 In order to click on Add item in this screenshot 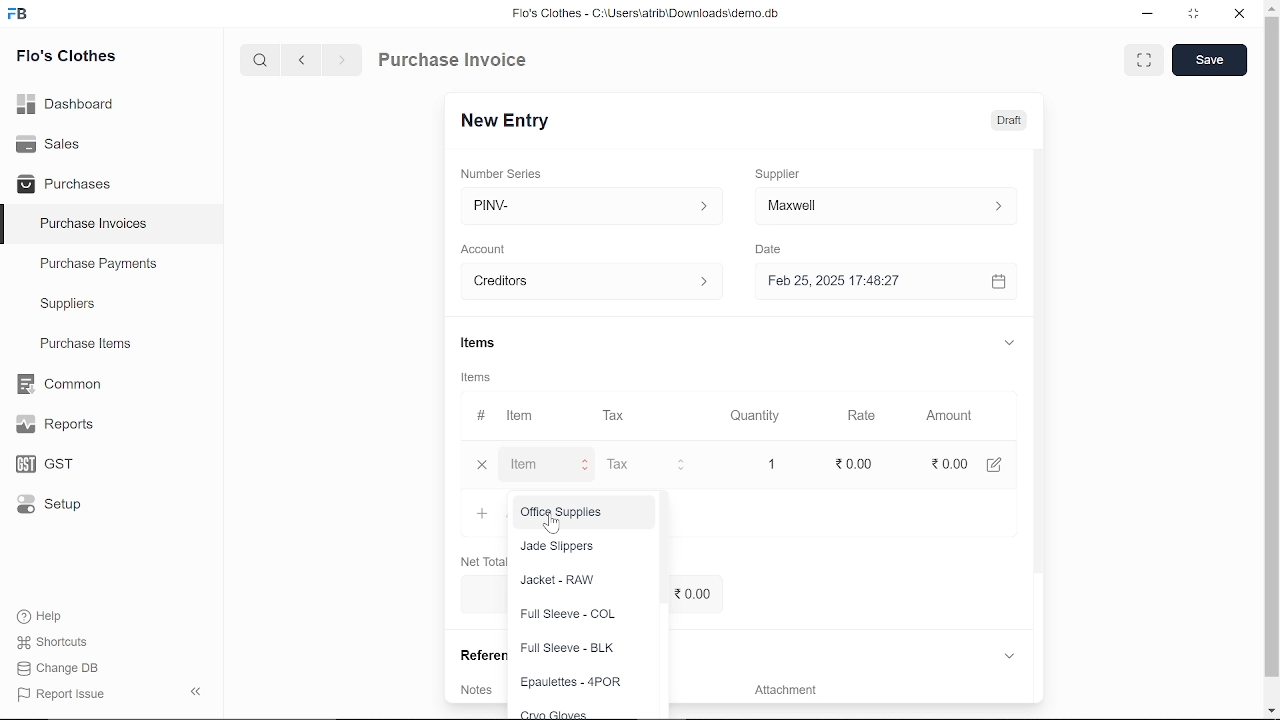, I will do `click(481, 513)`.